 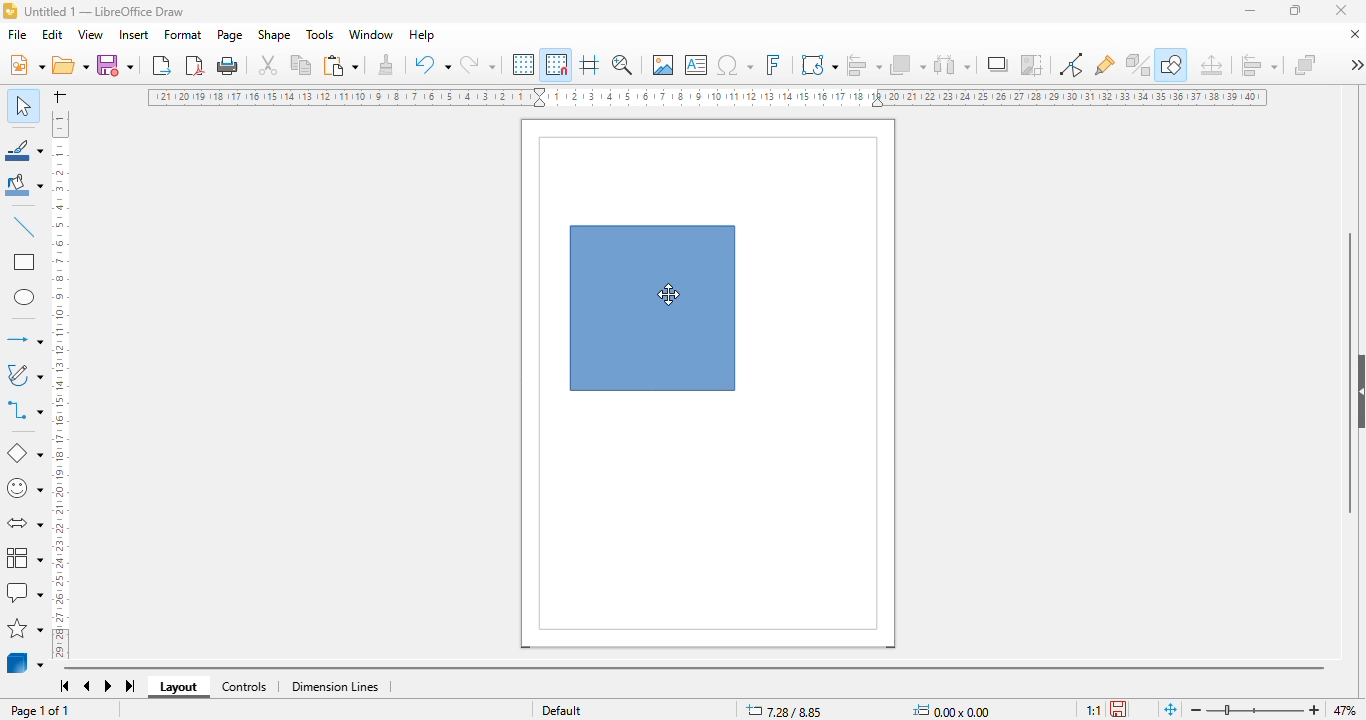 I want to click on toggle extrusion, so click(x=1139, y=65).